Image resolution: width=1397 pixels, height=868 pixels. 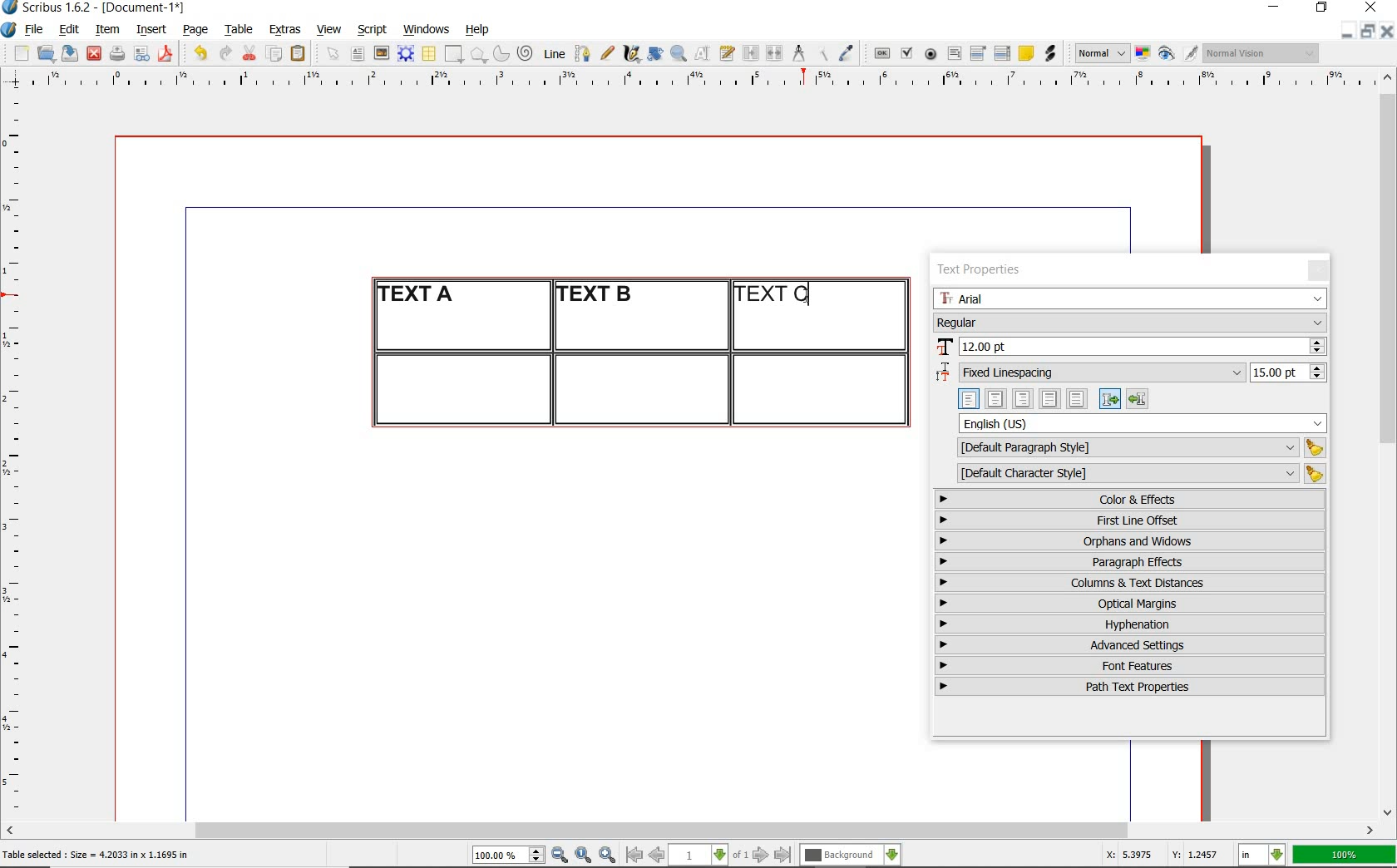 I want to click on pdf check box, so click(x=906, y=54).